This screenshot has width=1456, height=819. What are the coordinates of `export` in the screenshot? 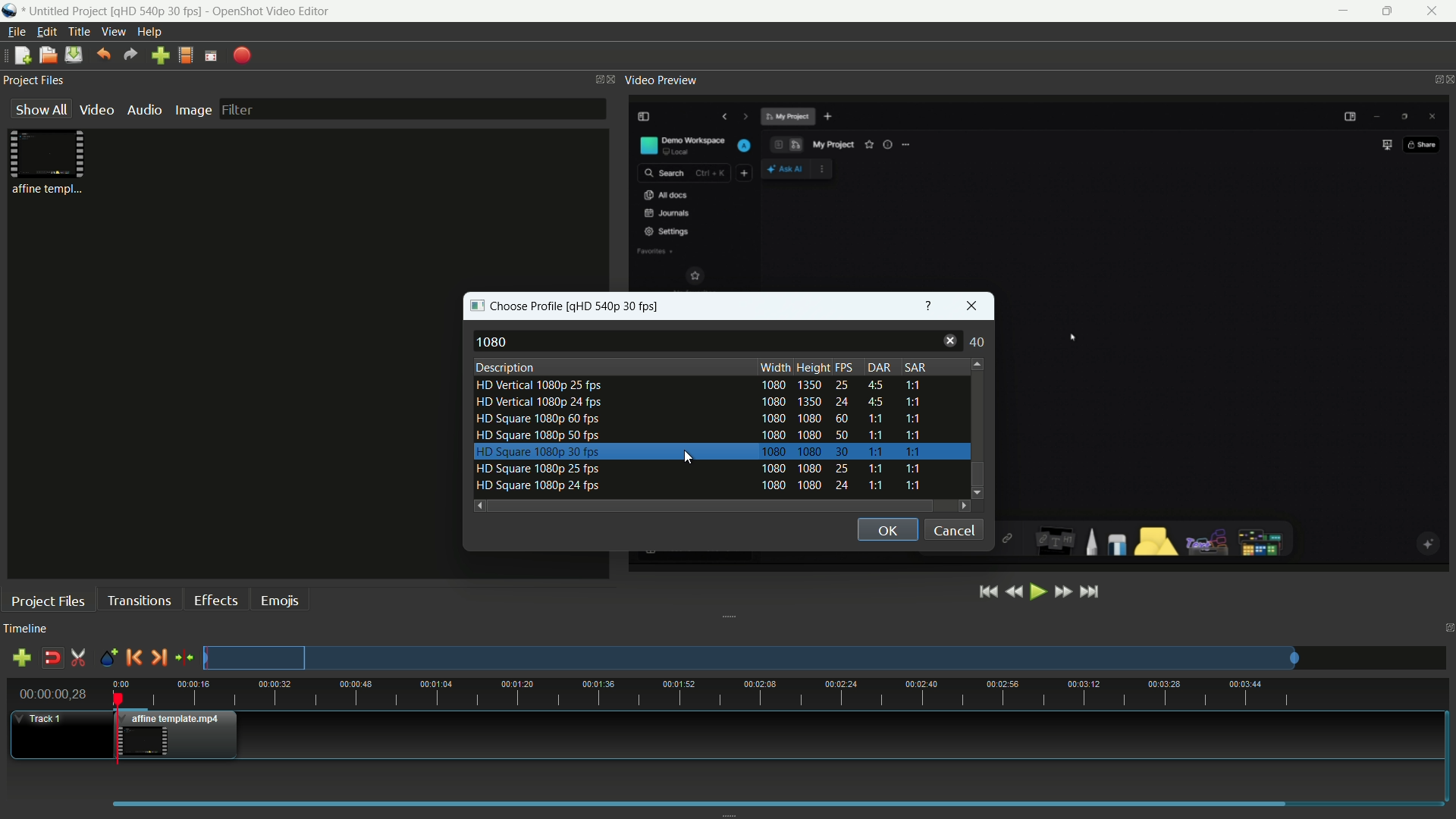 It's located at (240, 57).